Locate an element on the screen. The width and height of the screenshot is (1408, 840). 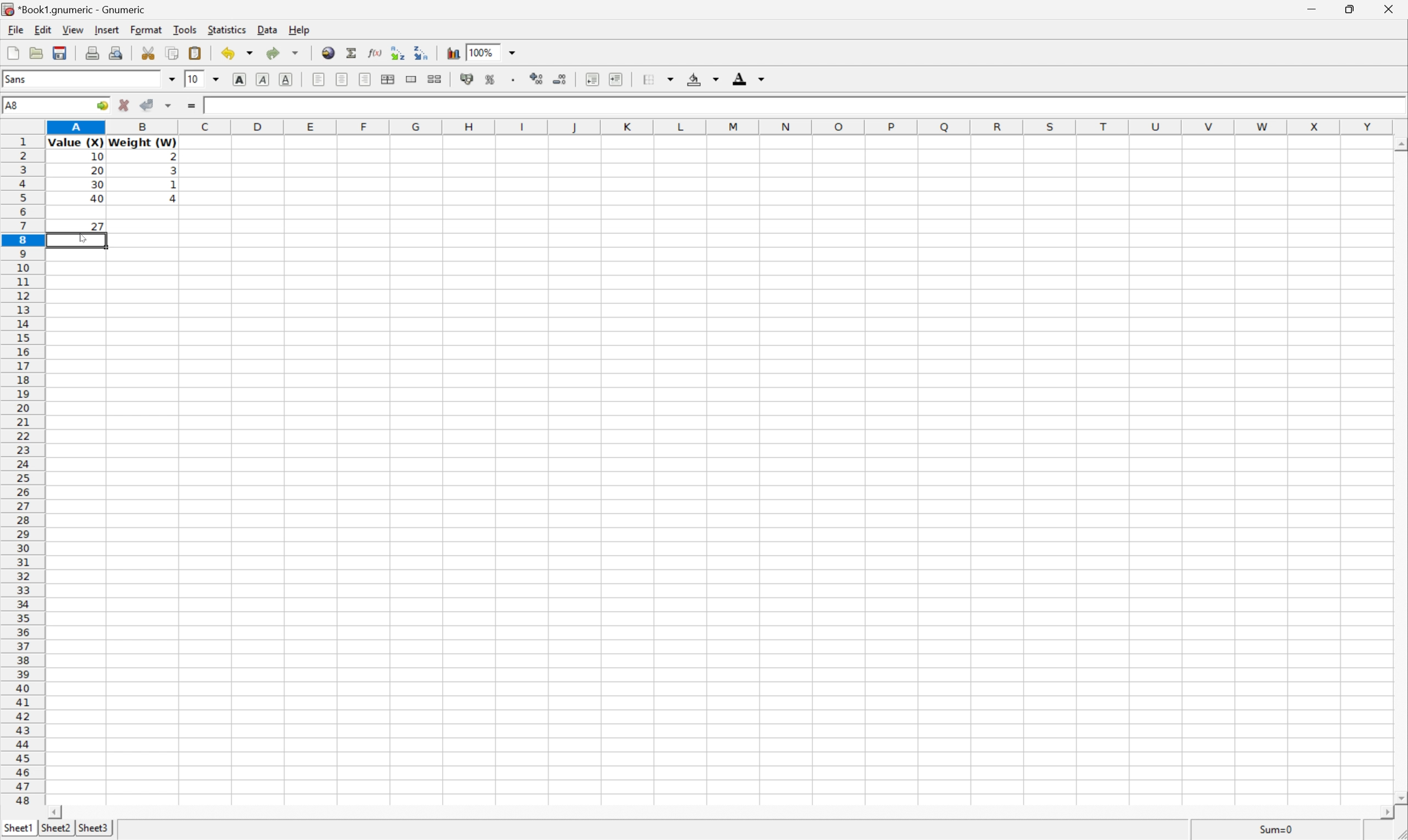
Scroll Down is located at coordinates (1399, 796).